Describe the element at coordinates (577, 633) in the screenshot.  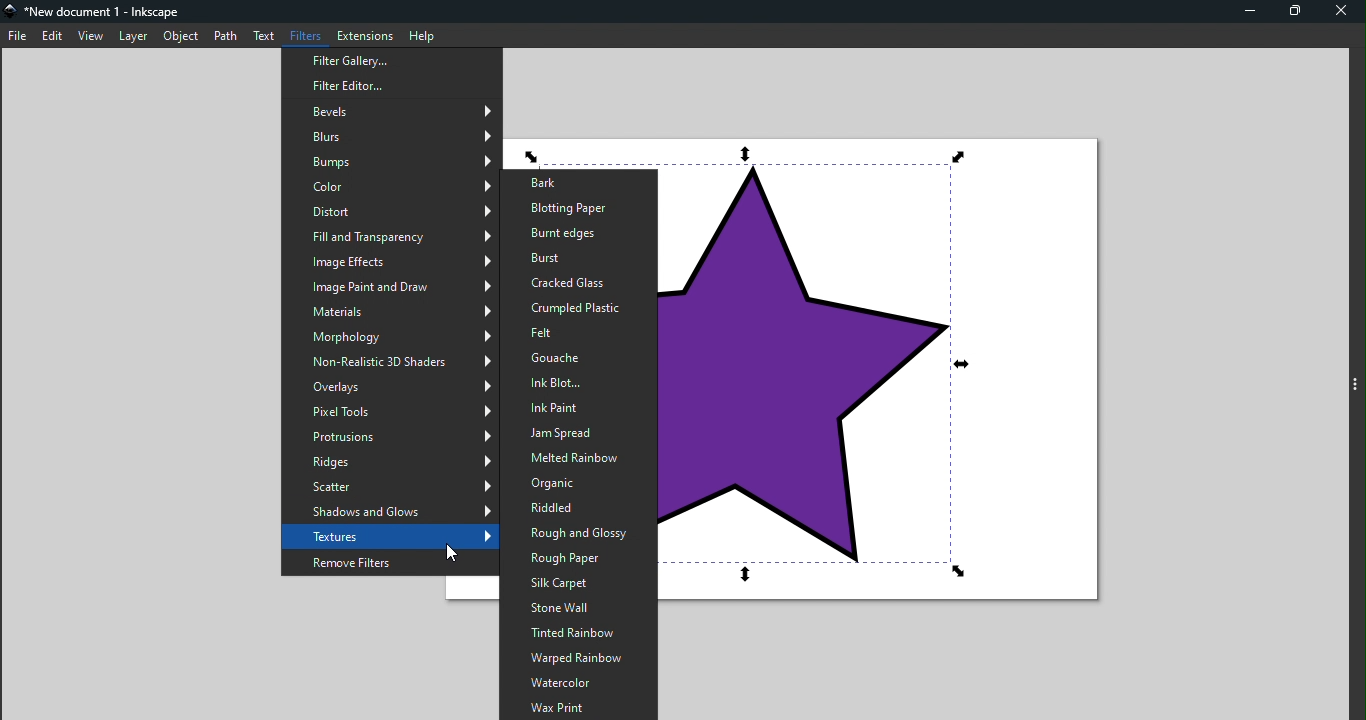
I see `Tinted rainbow` at that location.